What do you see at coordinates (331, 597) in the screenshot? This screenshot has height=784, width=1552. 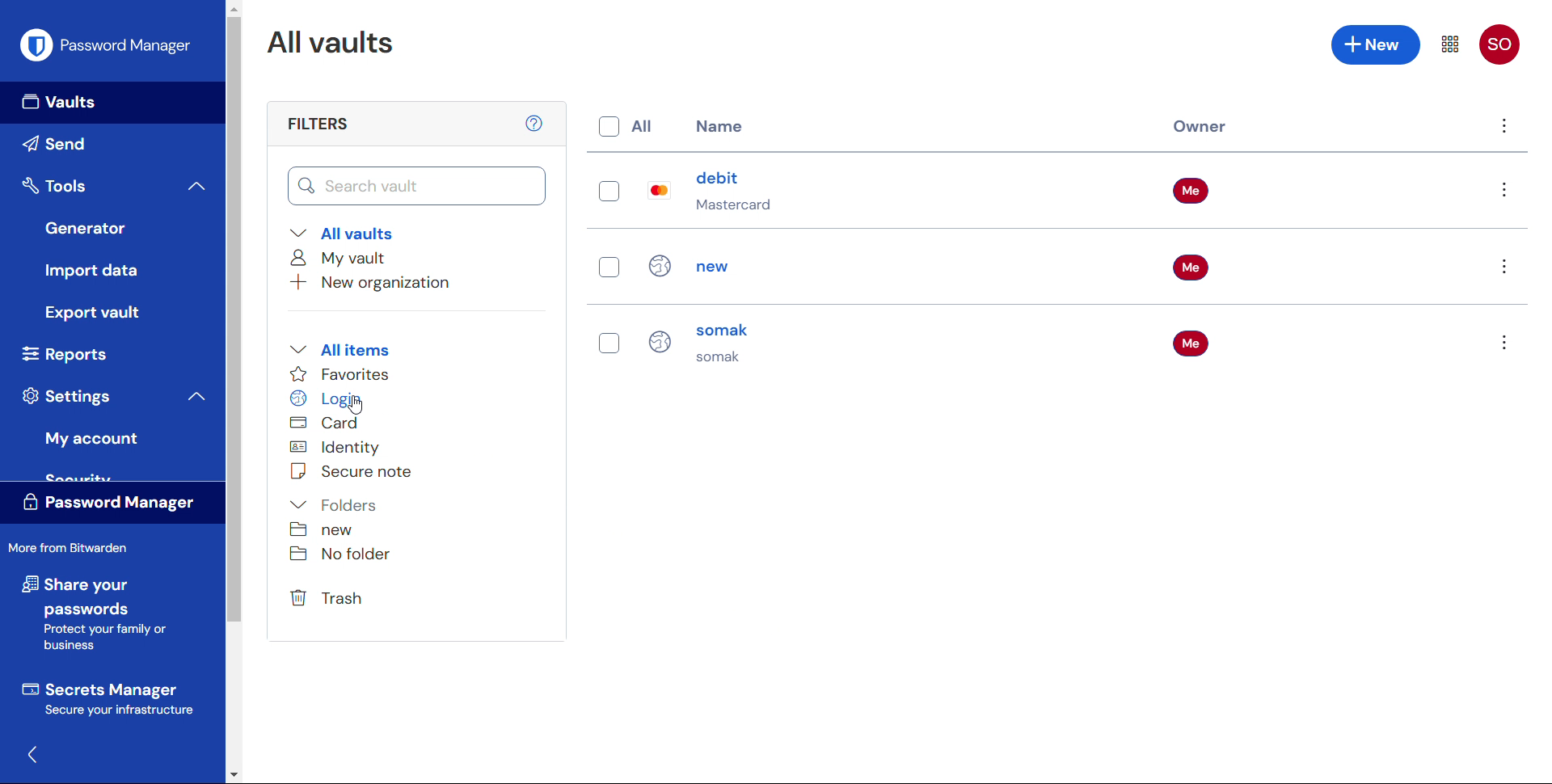 I see `Trash ` at bounding box center [331, 597].